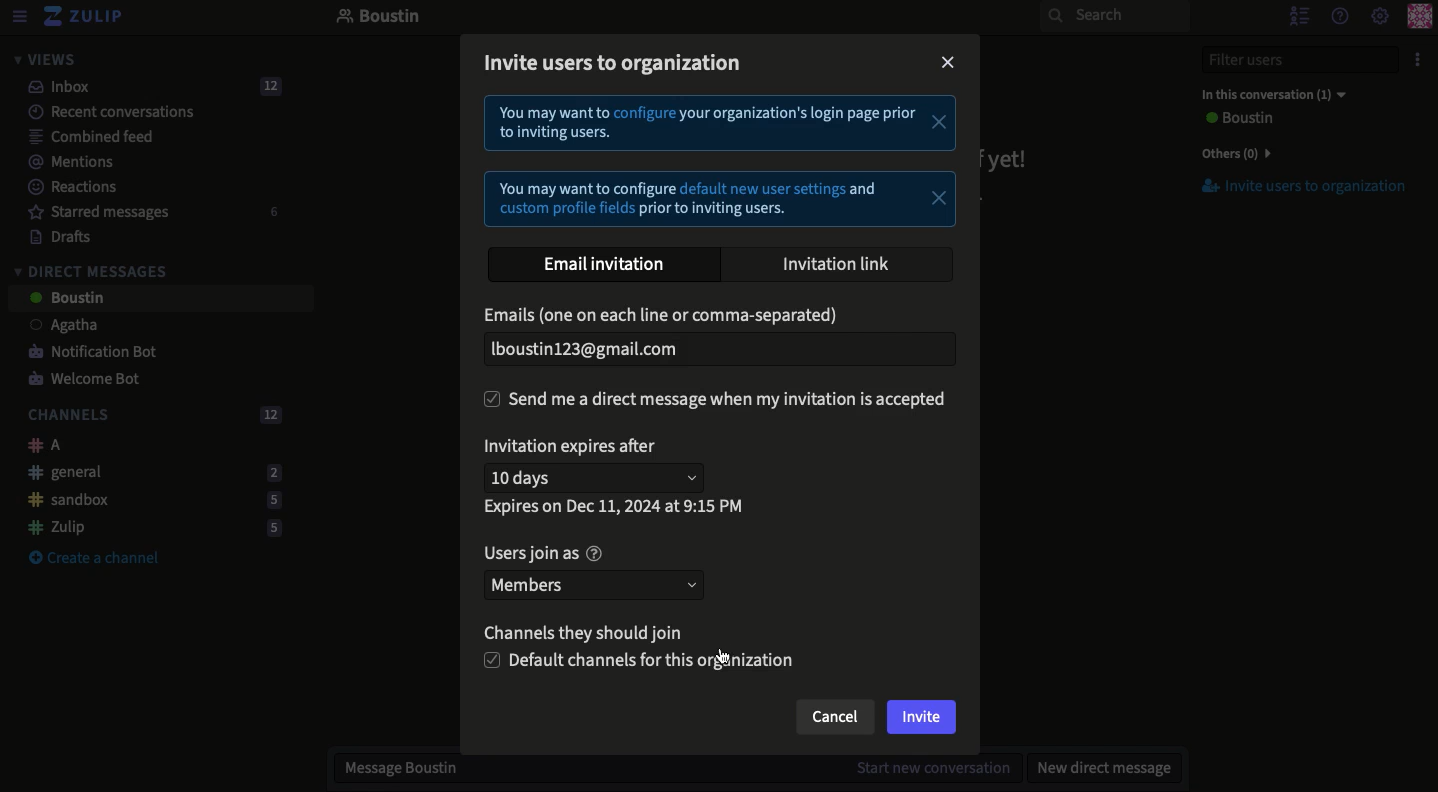  Describe the element at coordinates (146, 87) in the screenshot. I see `Inbox` at that location.